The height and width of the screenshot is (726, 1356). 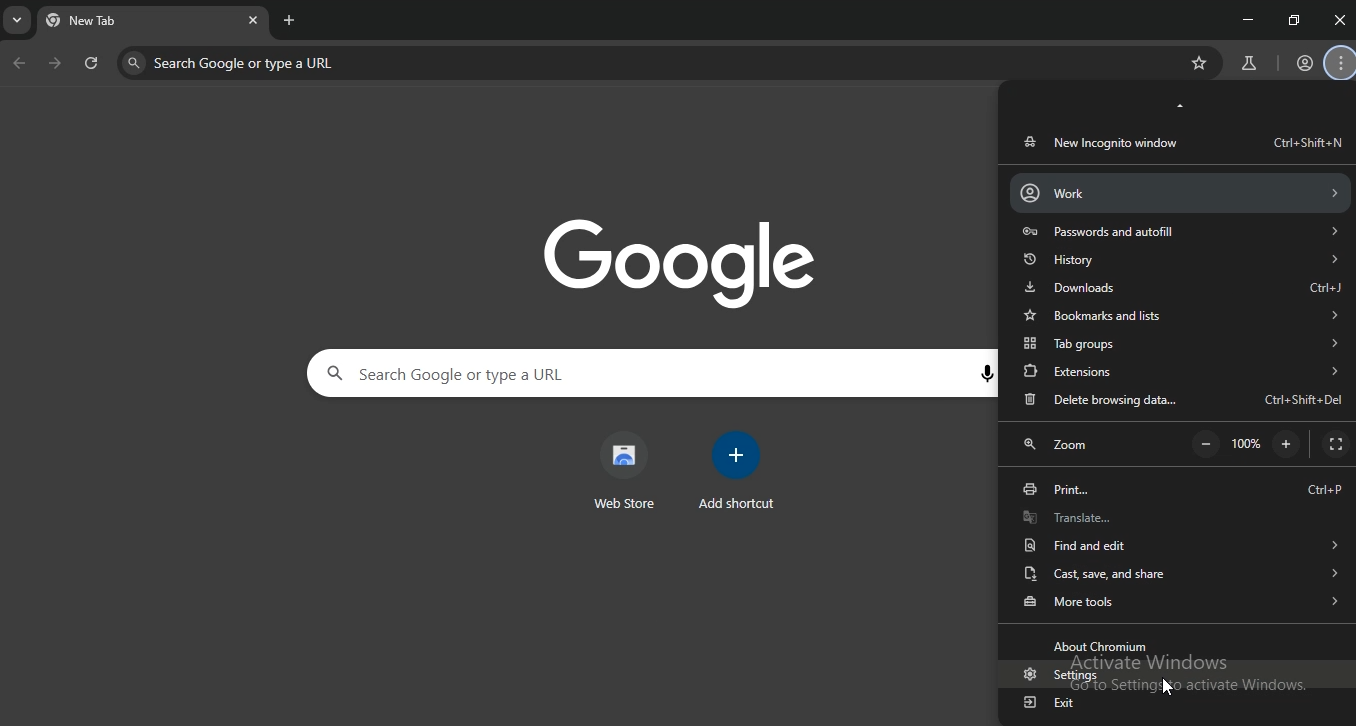 What do you see at coordinates (1055, 676) in the screenshot?
I see `aettings` at bounding box center [1055, 676].